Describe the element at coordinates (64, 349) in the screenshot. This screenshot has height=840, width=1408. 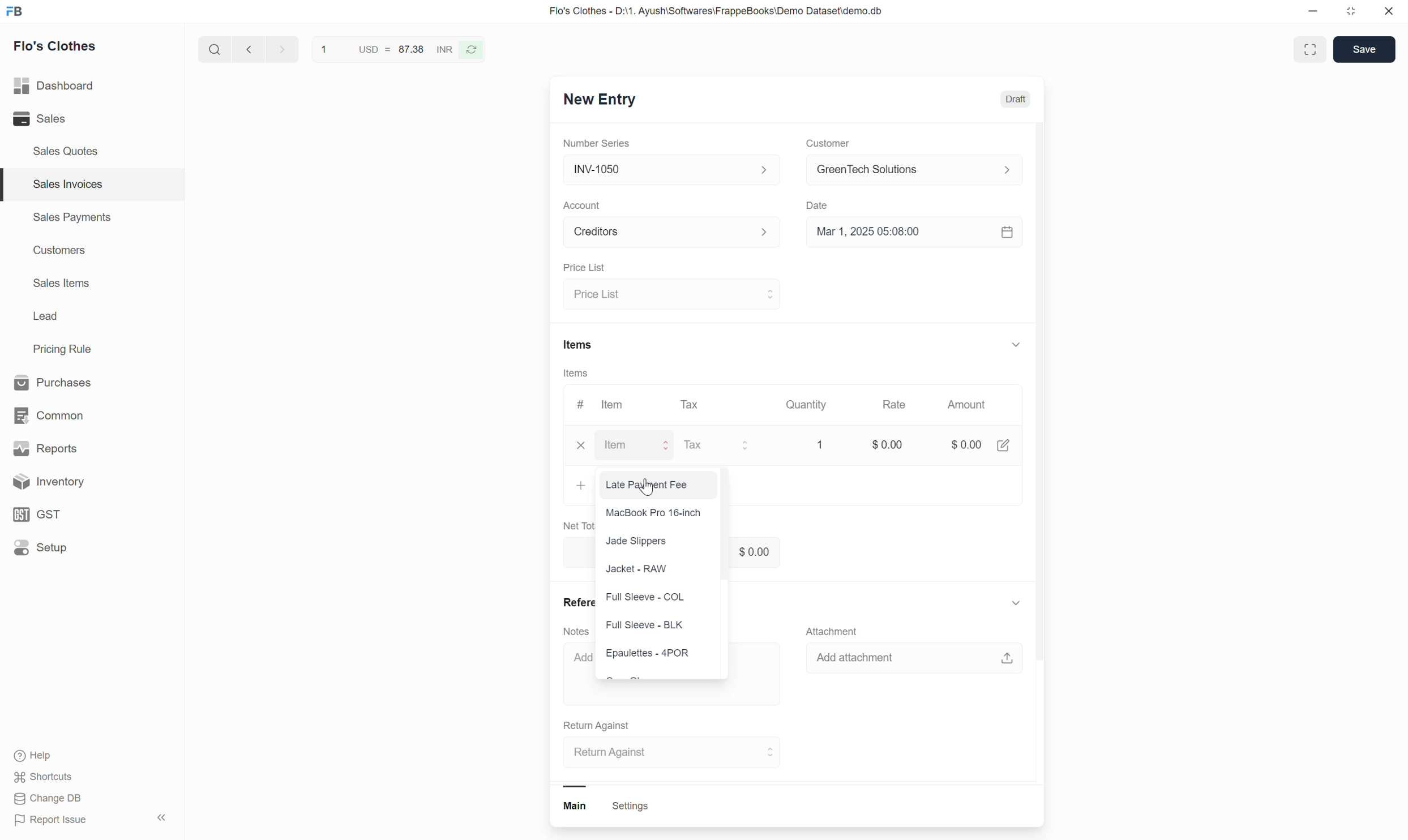
I see `Pricing Rule` at that location.